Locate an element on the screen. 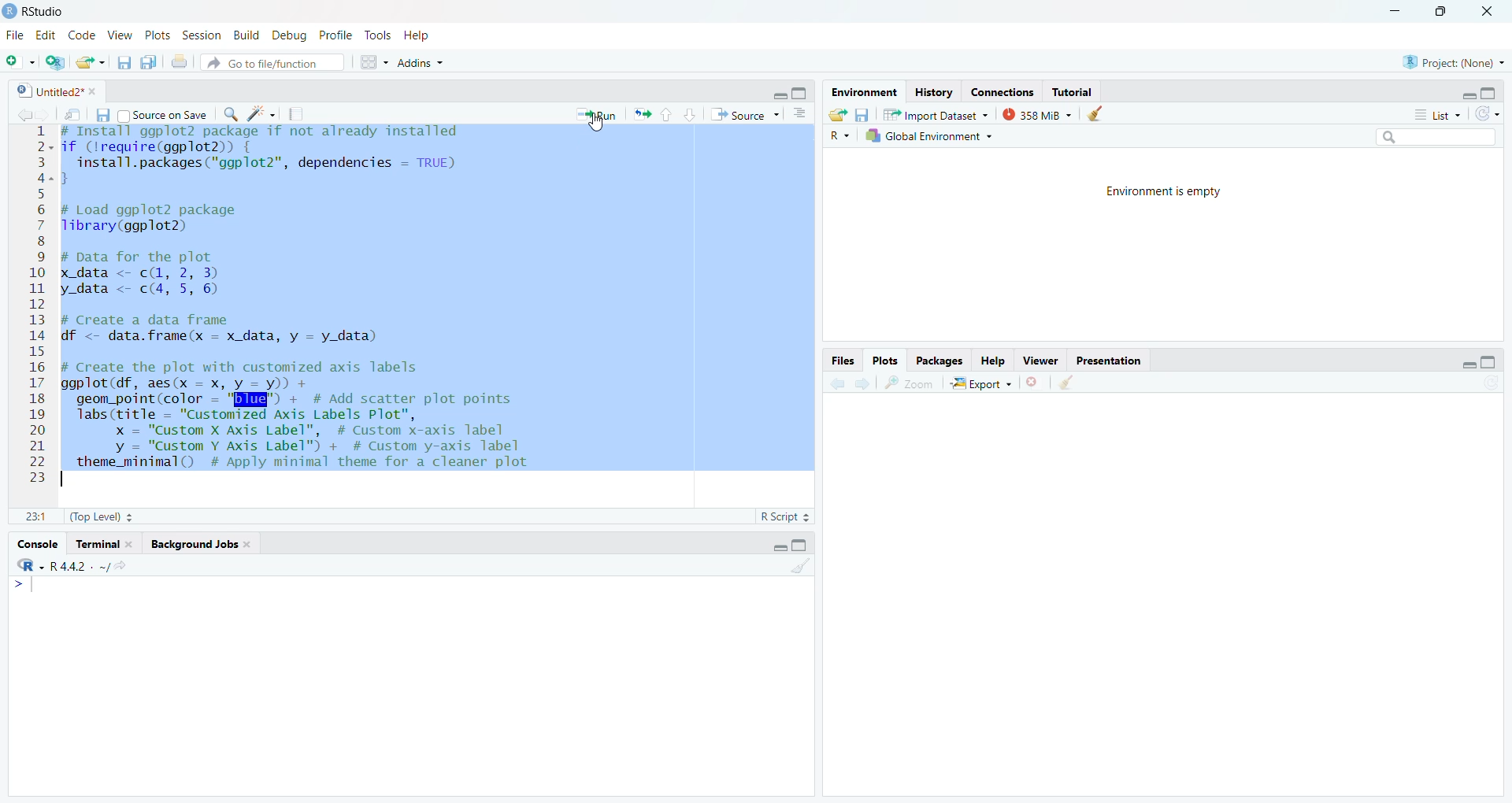 The height and width of the screenshot is (803, 1512). clear is located at coordinates (1099, 115).